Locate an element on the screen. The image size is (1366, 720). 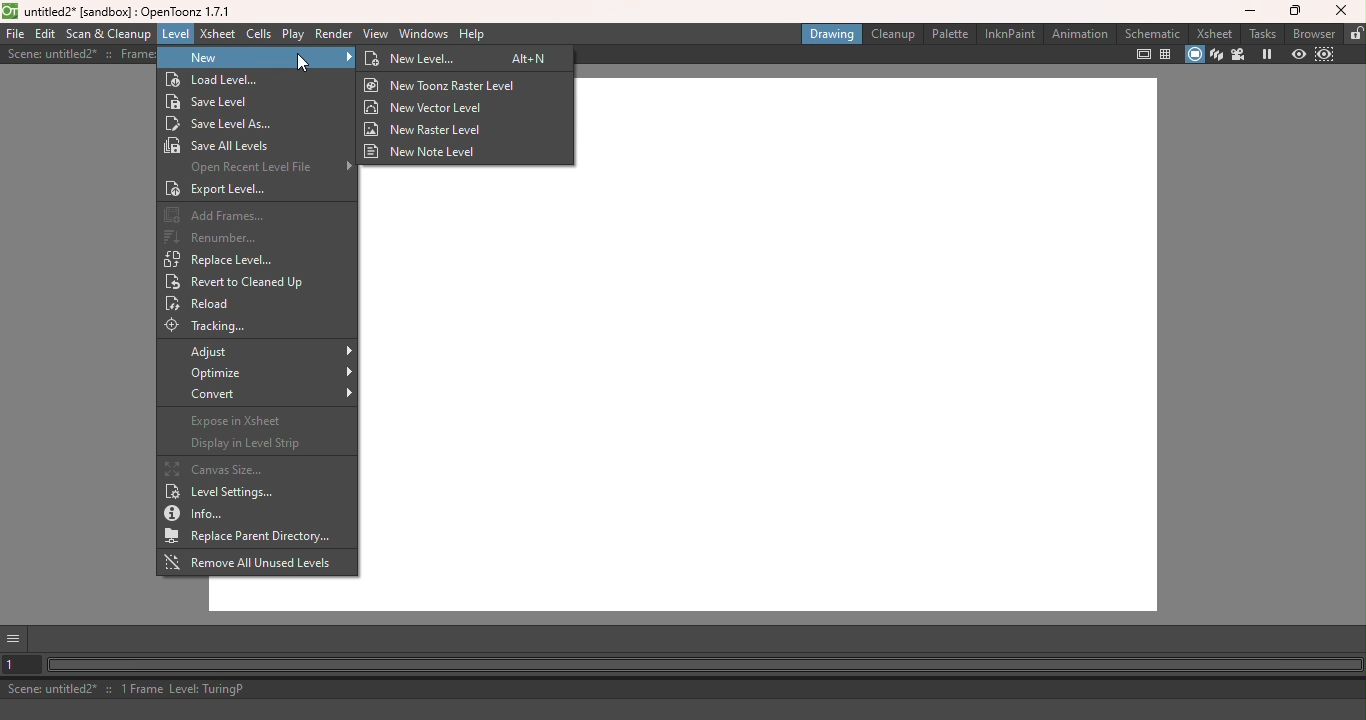
Add frames is located at coordinates (217, 215).